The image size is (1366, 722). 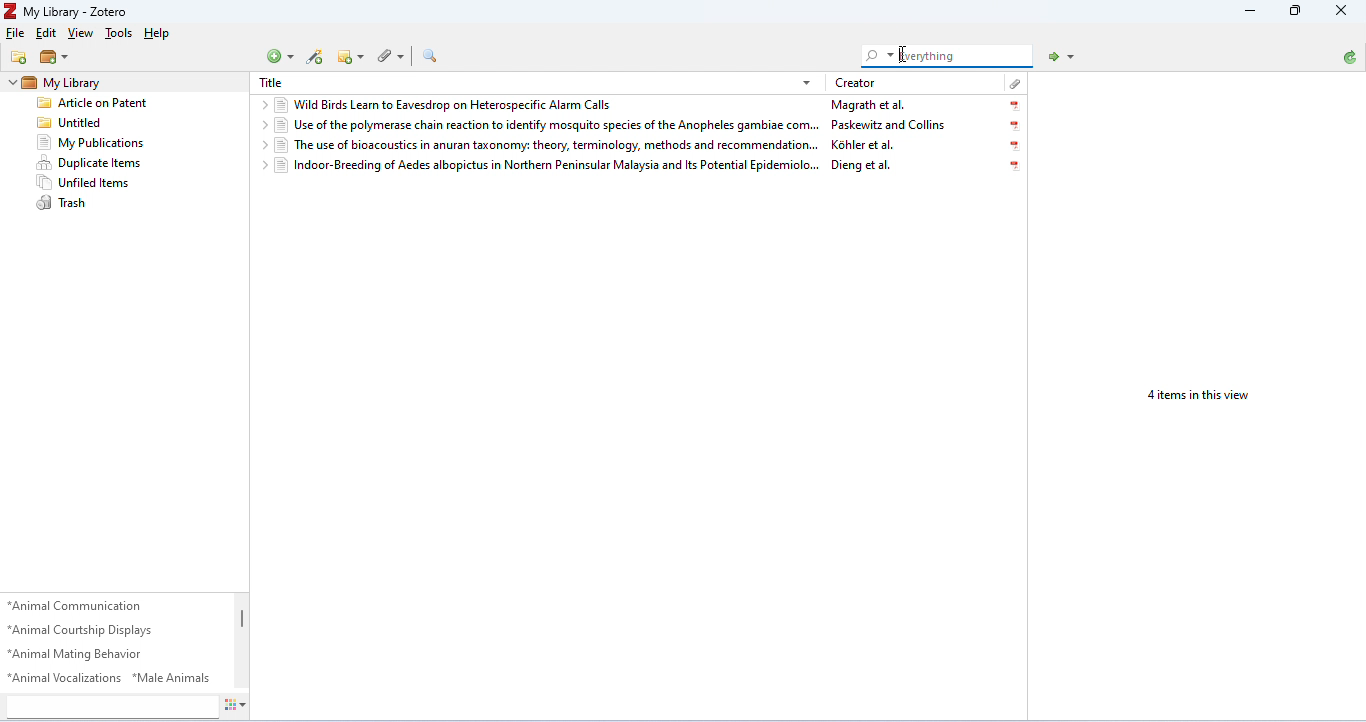 I want to click on New Library..., so click(x=55, y=58).